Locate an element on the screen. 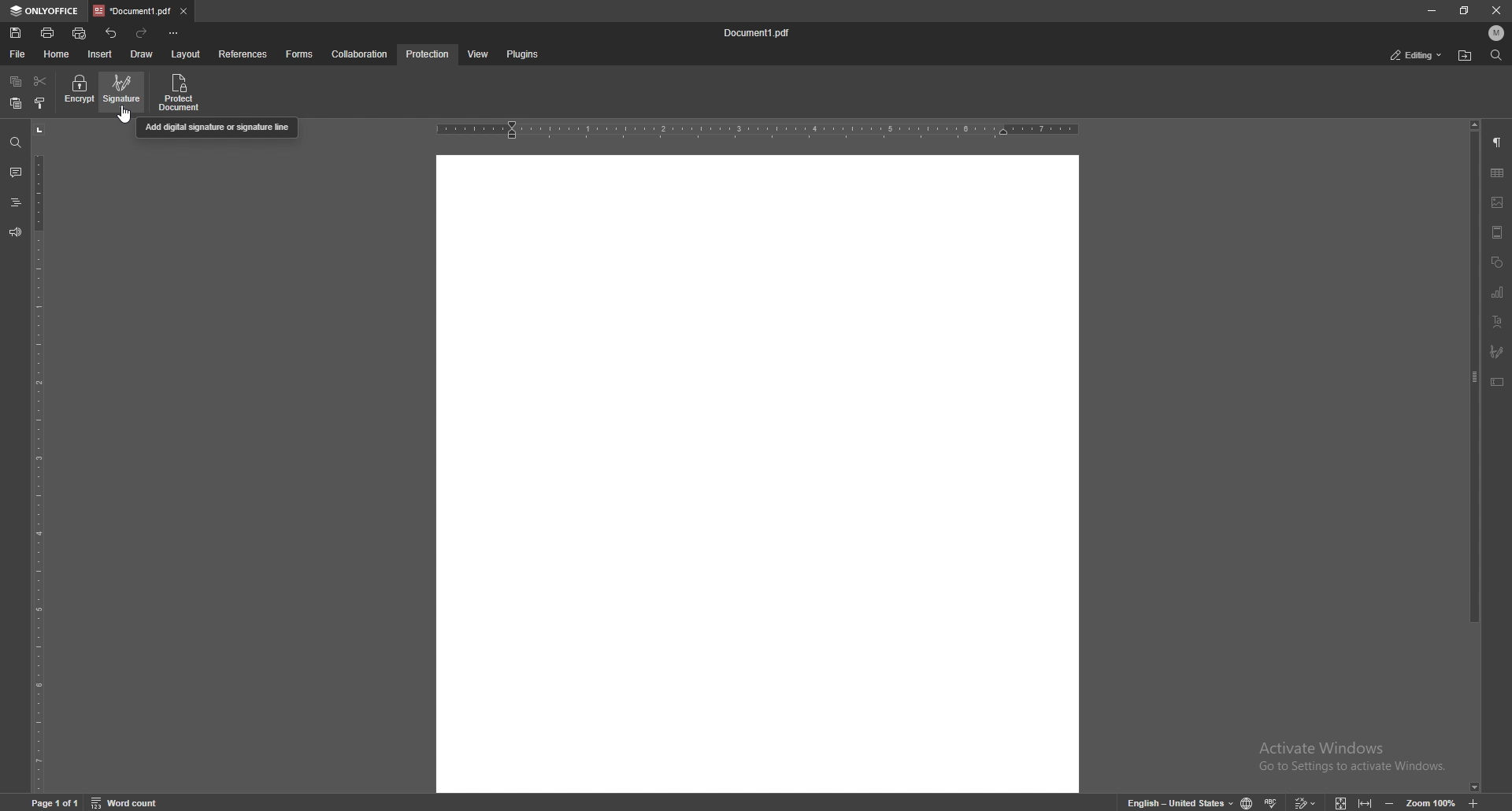 The width and height of the screenshot is (1512, 811). insert is located at coordinates (102, 54).